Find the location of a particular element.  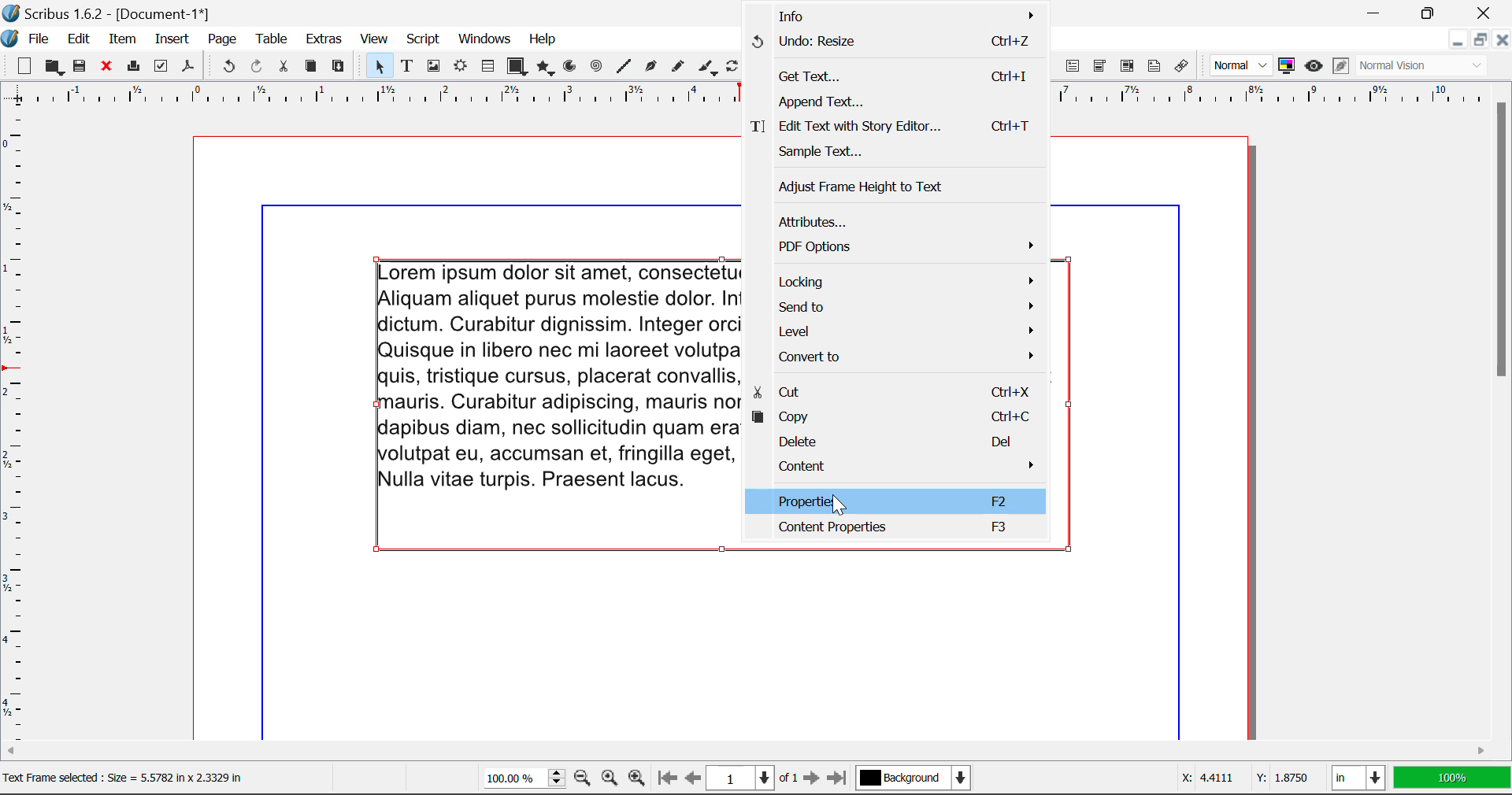

Get Text is located at coordinates (899, 76).